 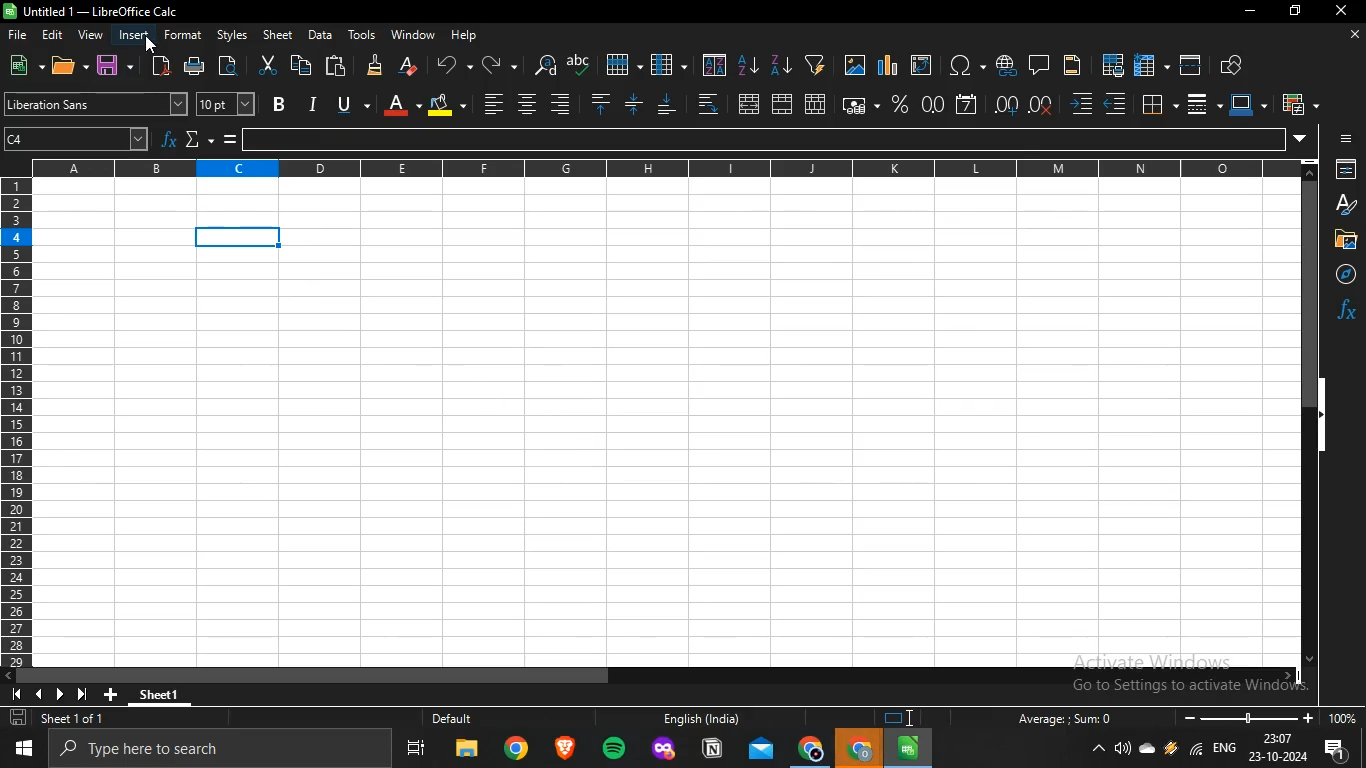 I want to click on sheet1, so click(x=663, y=424).